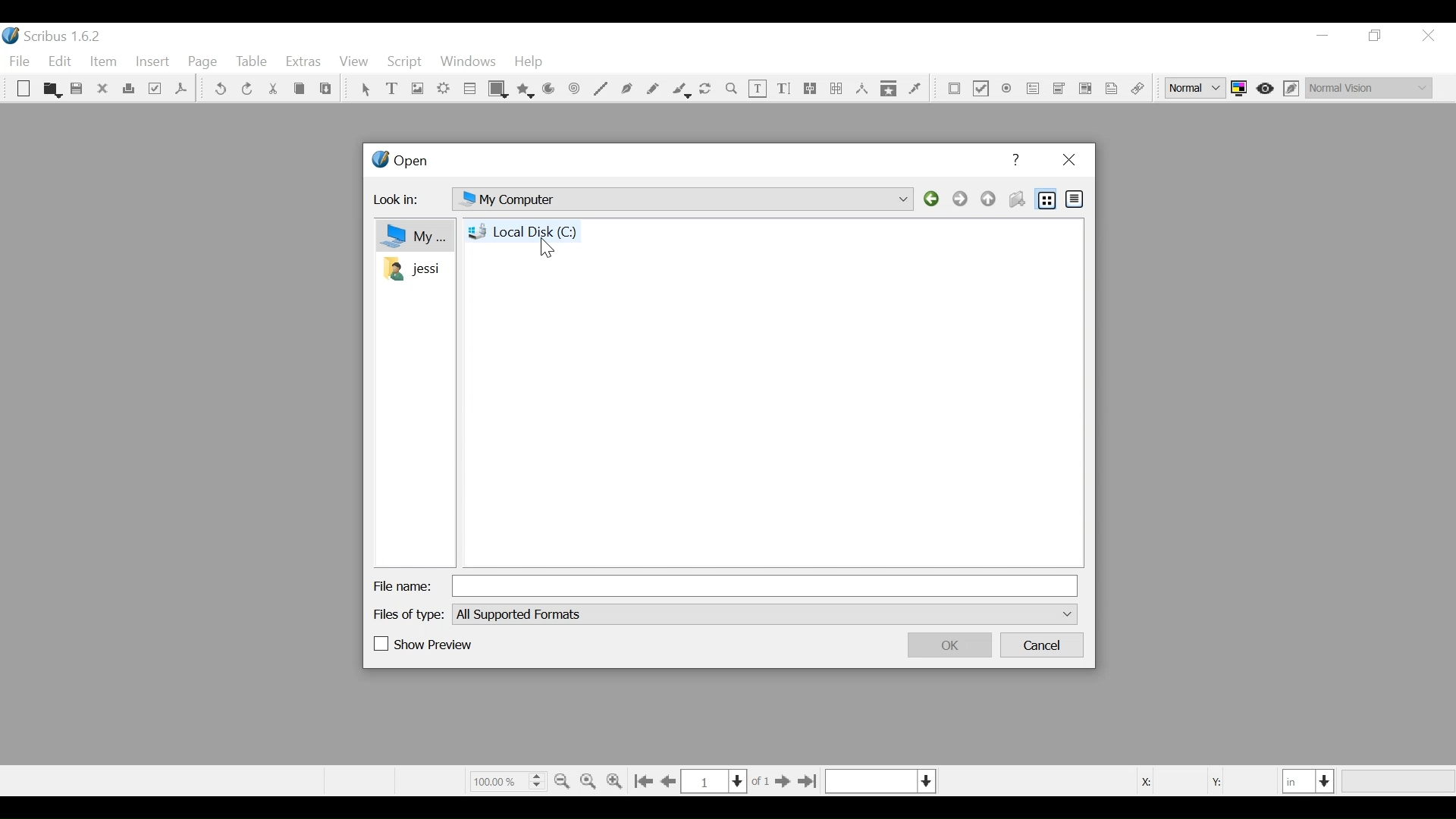 The height and width of the screenshot is (819, 1456). What do you see at coordinates (1043, 646) in the screenshot?
I see `Cancel` at bounding box center [1043, 646].